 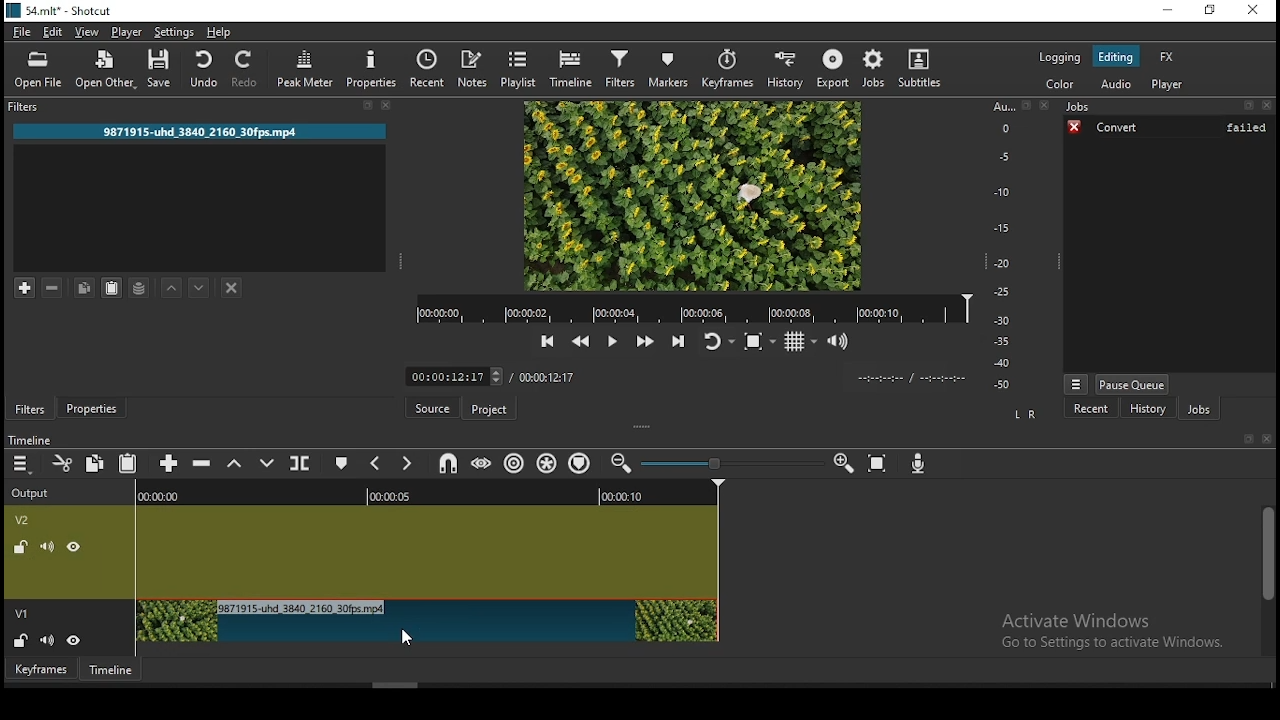 I want to click on save filter set, so click(x=139, y=285).